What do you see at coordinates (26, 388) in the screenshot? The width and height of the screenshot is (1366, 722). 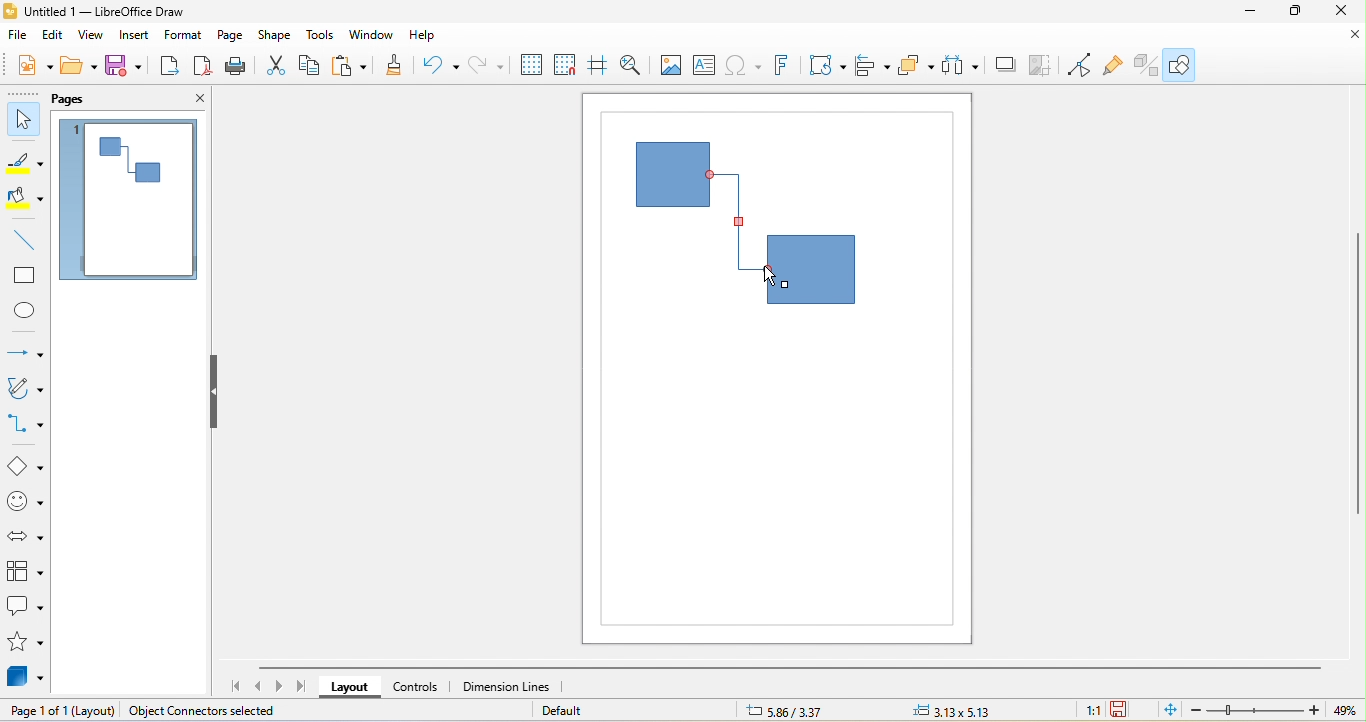 I see `curves and polygon` at bounding box center [26, 388].